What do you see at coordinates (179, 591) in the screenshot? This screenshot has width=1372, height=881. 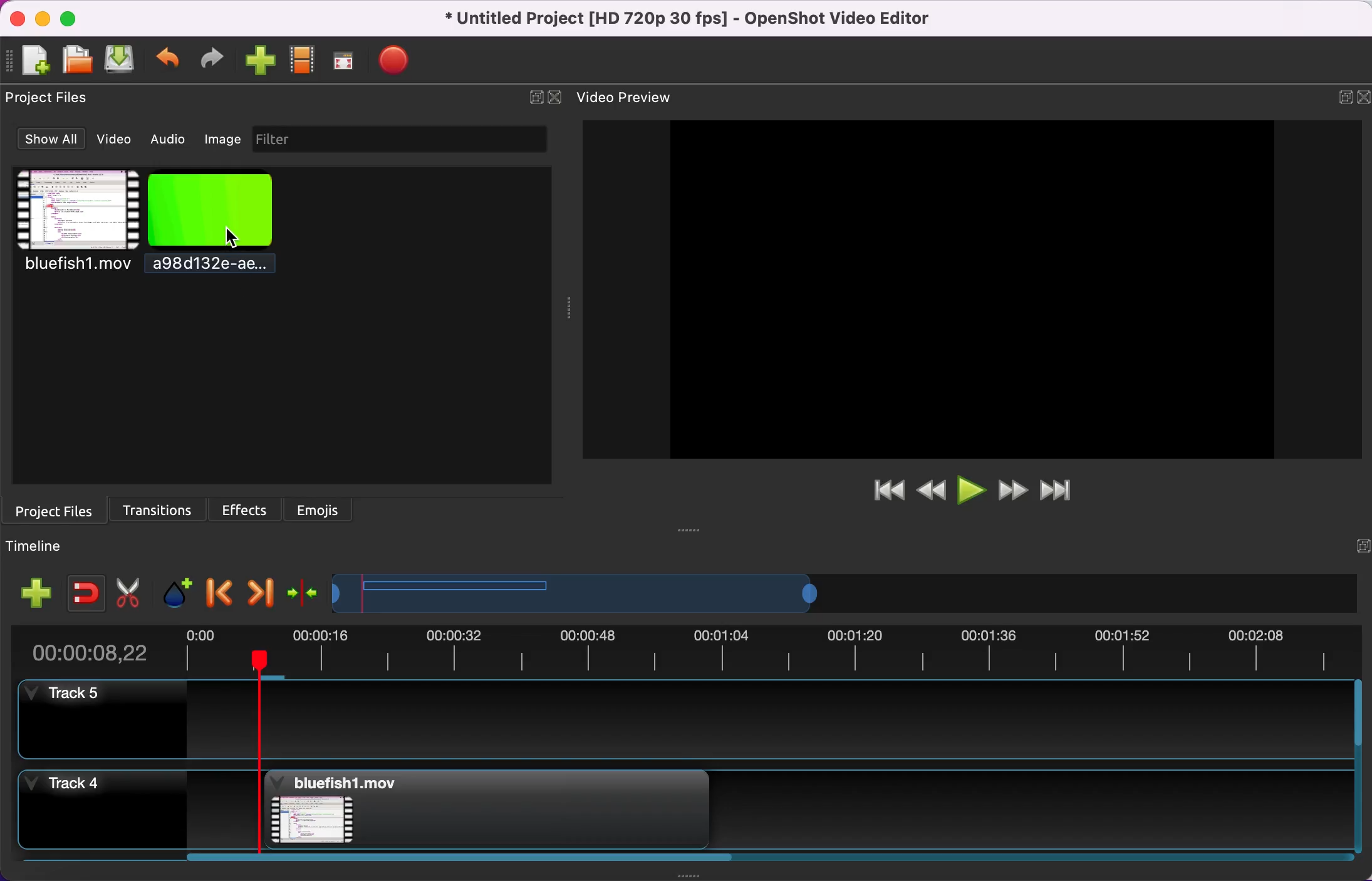 I see `add marker` at bounding box center [179, 591].